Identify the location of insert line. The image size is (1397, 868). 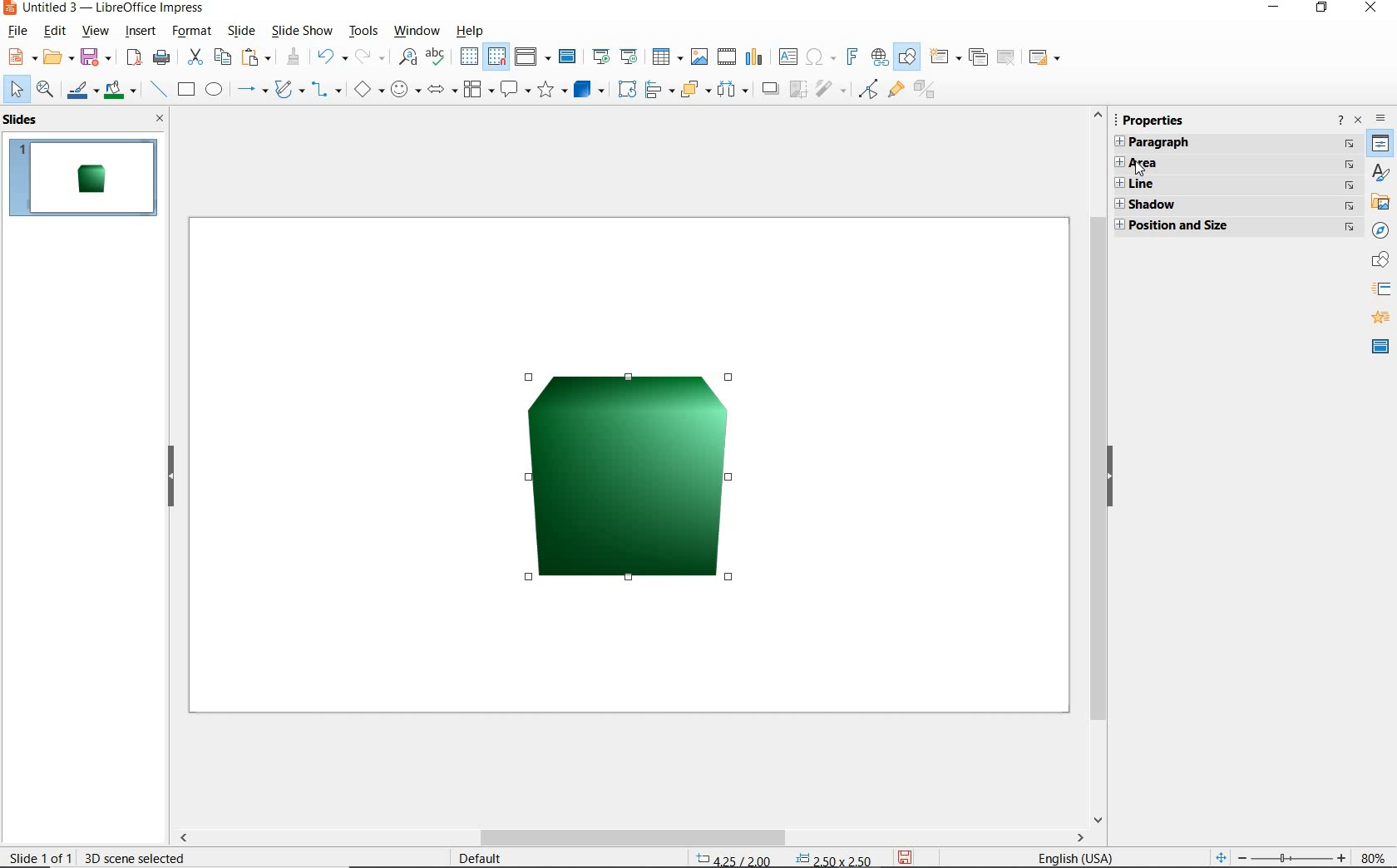
(157, 89).